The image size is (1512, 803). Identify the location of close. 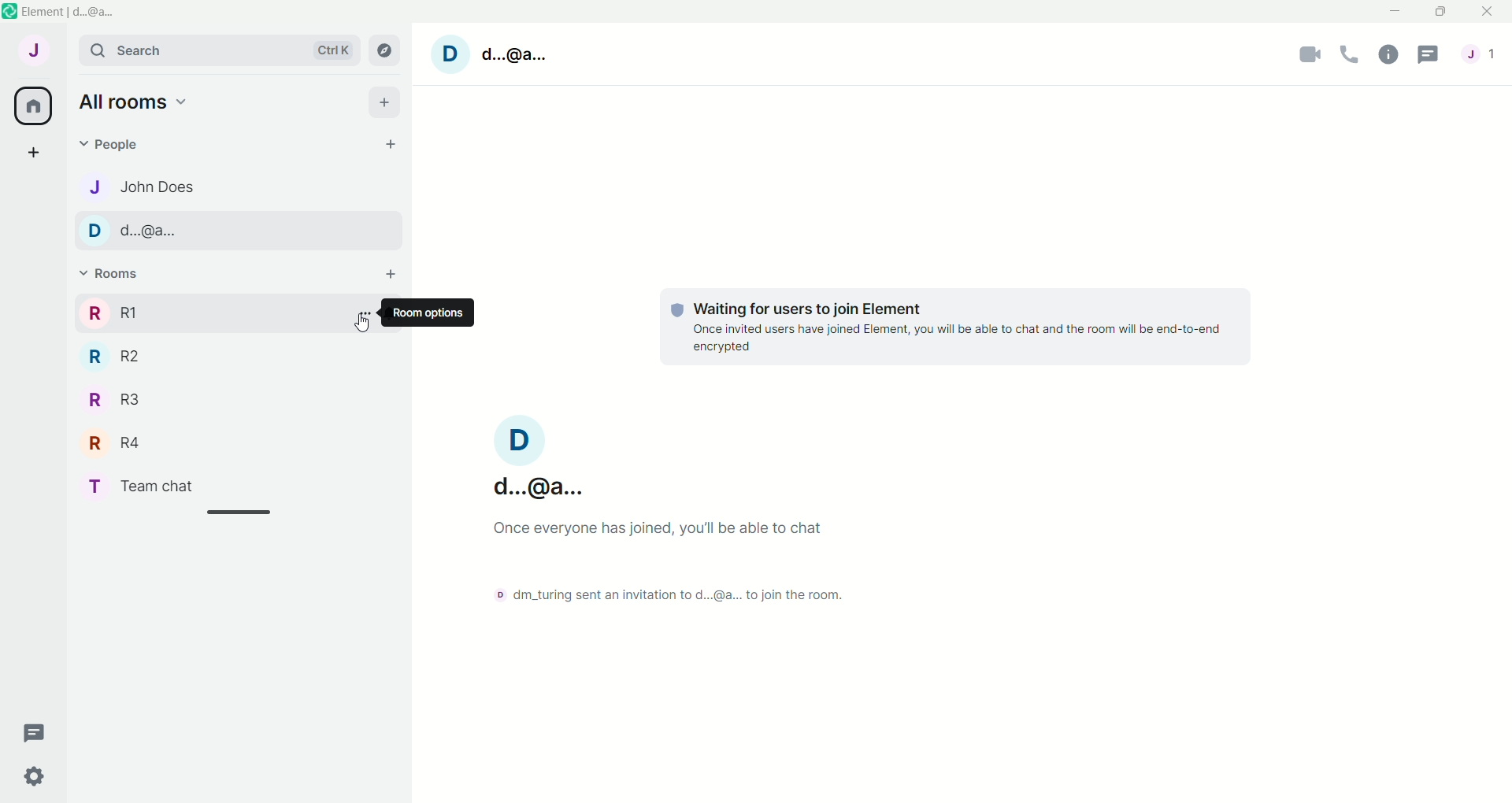
(1487, 13).